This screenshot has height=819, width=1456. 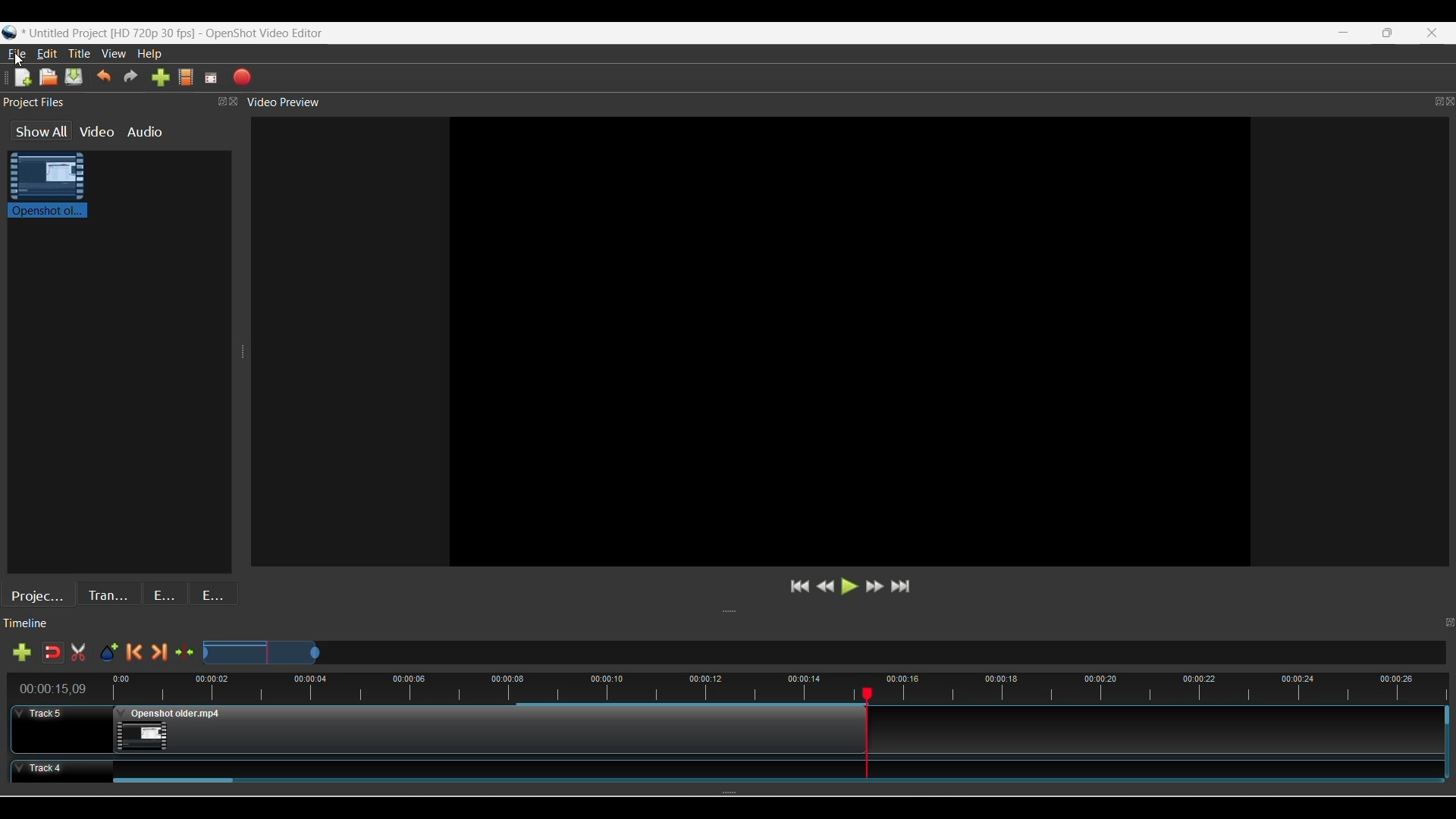 I want to click on Edit, so click(x=46, y=54).